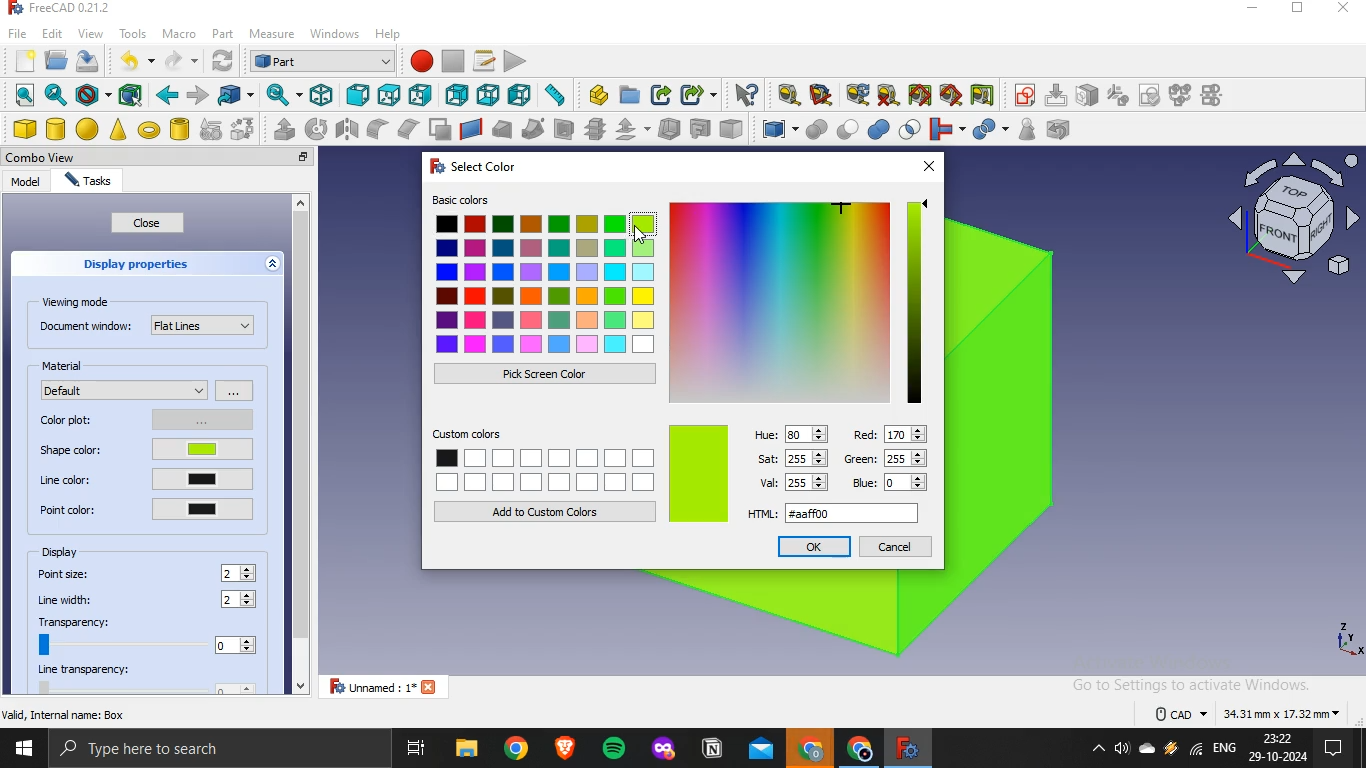 Image resolution: width=1366 pixels, height=768 pixels. Describe the element at coordinates (983, 94) in the screenshot. I see `toggle delta` at that location.